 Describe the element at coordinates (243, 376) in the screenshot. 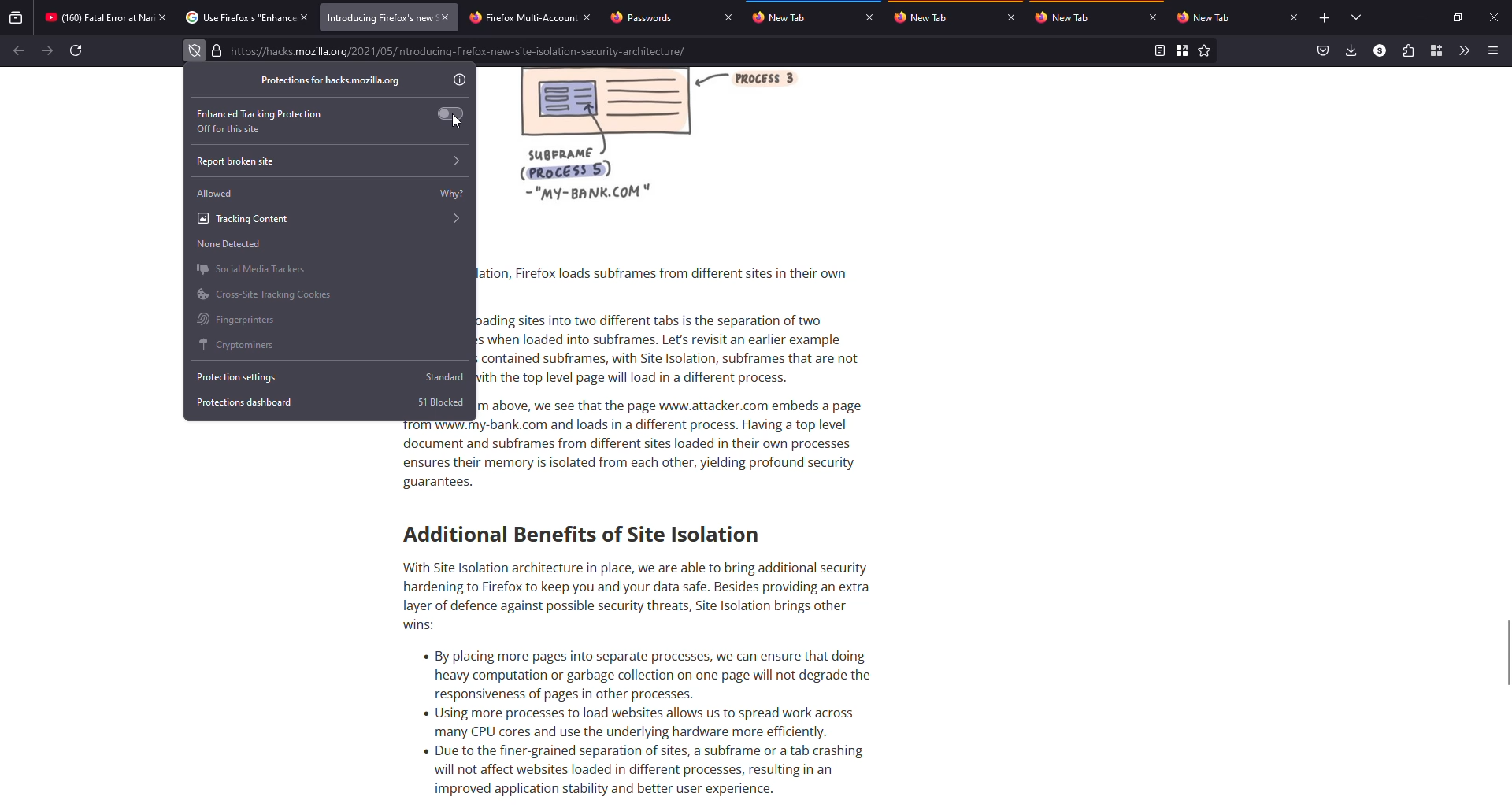

I see `protection settings` at that location.